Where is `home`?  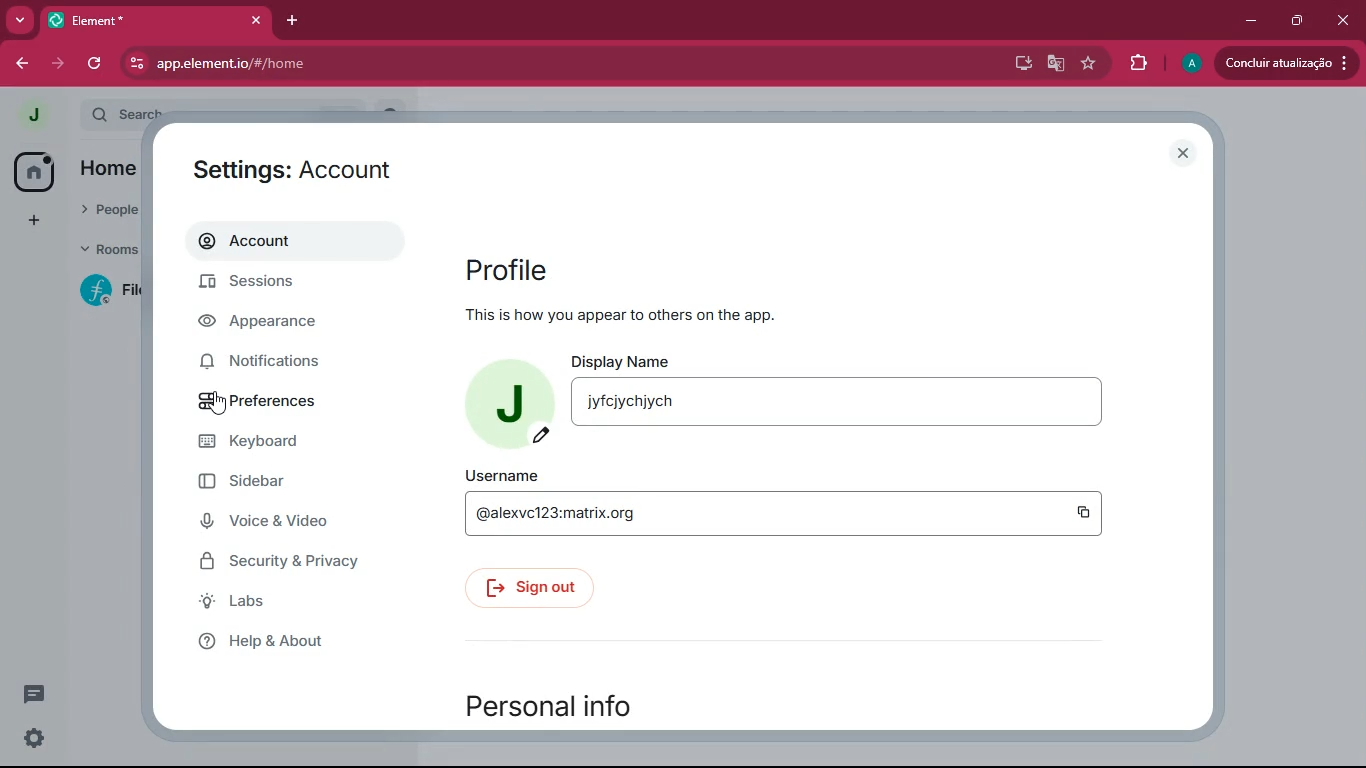 home is located at coordinates (32, 172).